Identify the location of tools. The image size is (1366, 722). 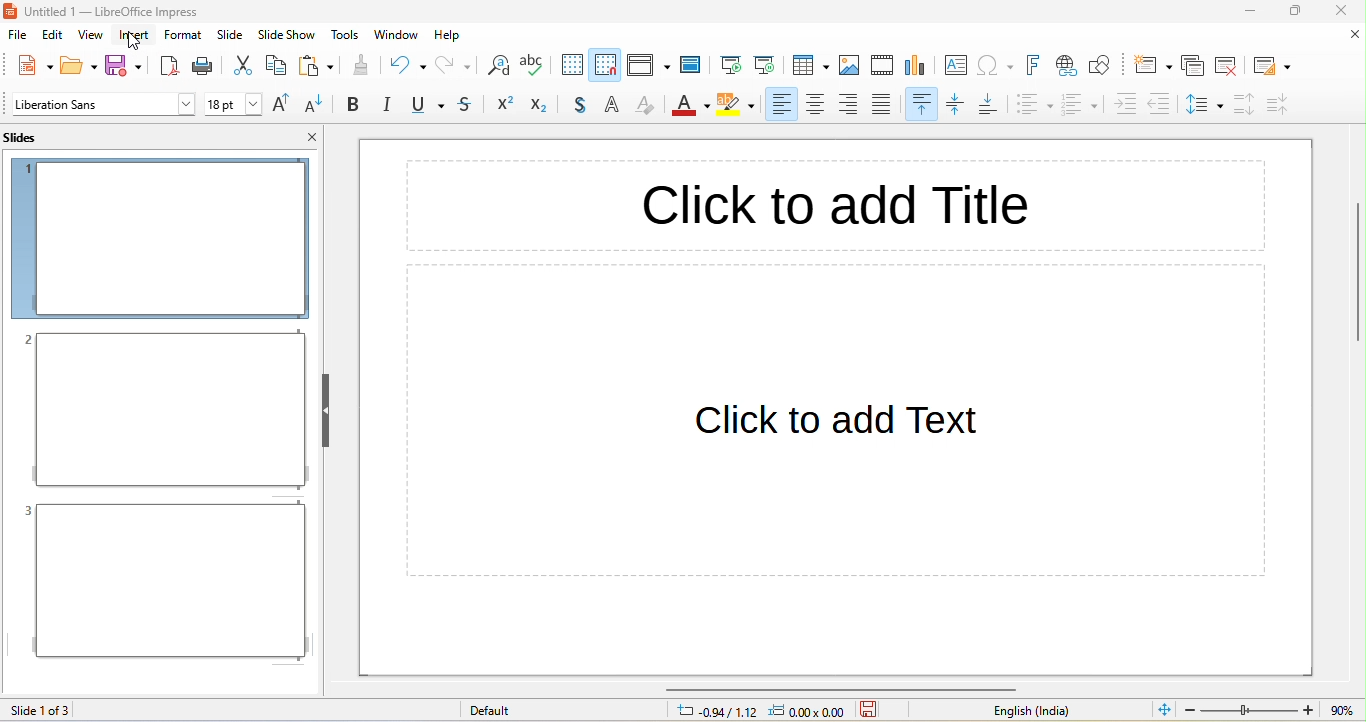
(346, 34).